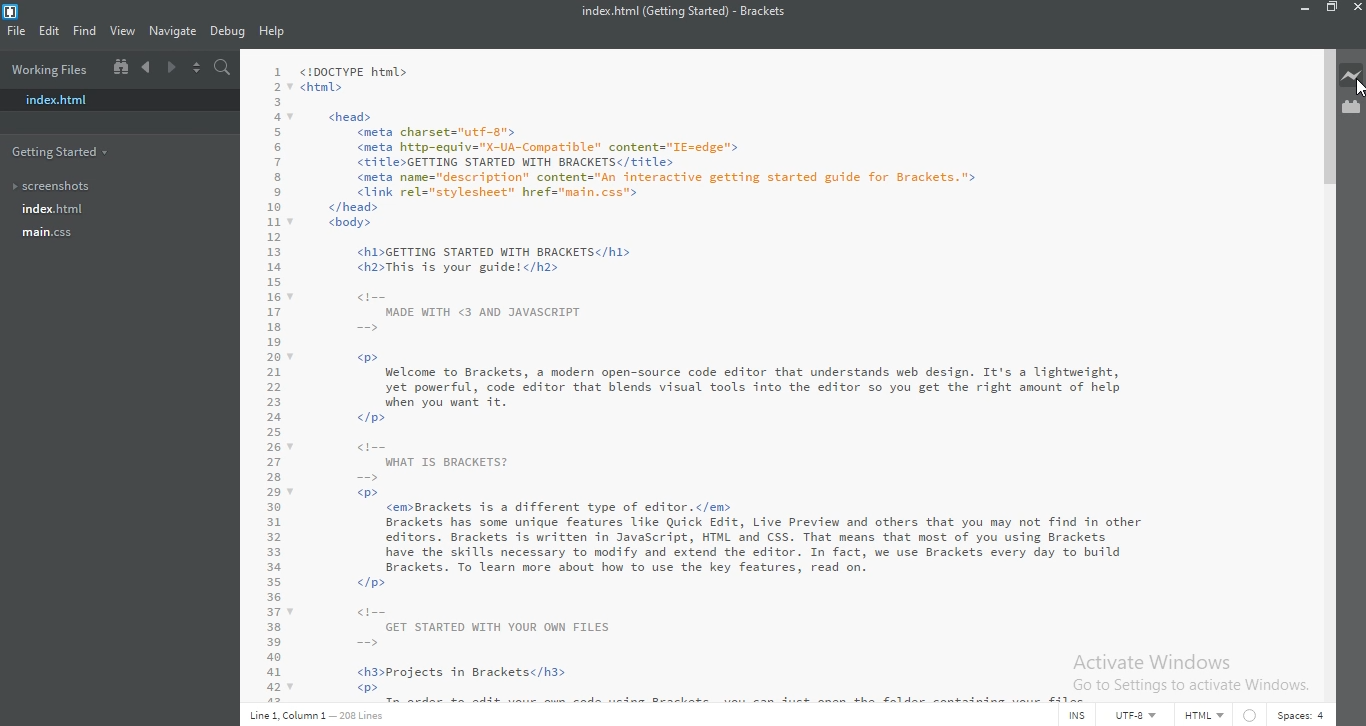 This screenshot has height=726, width=1366. Describe the element at coordinates (122, 69) in the screenshot. I see `Show file tree` at that location.